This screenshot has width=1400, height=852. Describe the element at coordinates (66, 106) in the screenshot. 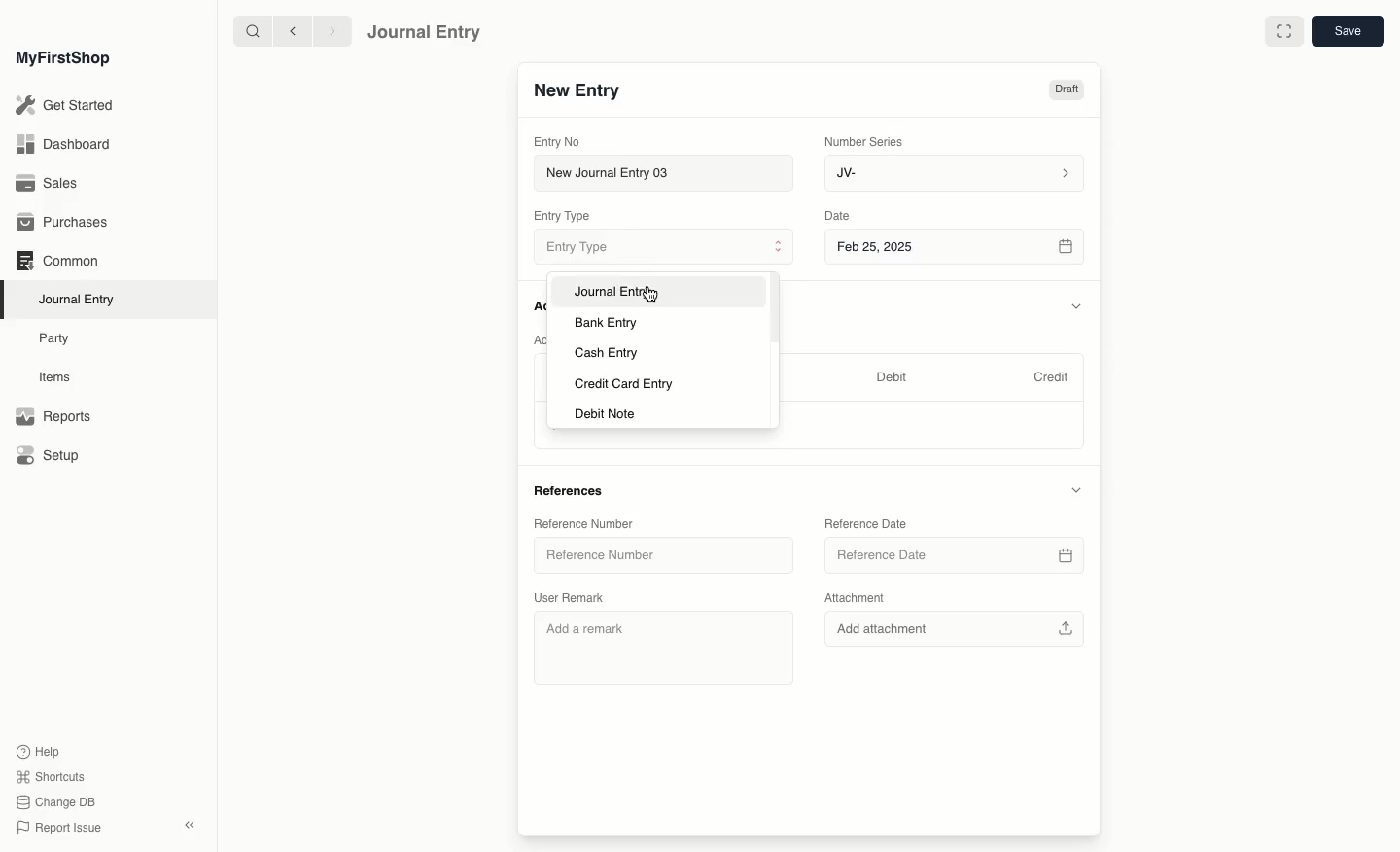

I see `Get Started` at that location.